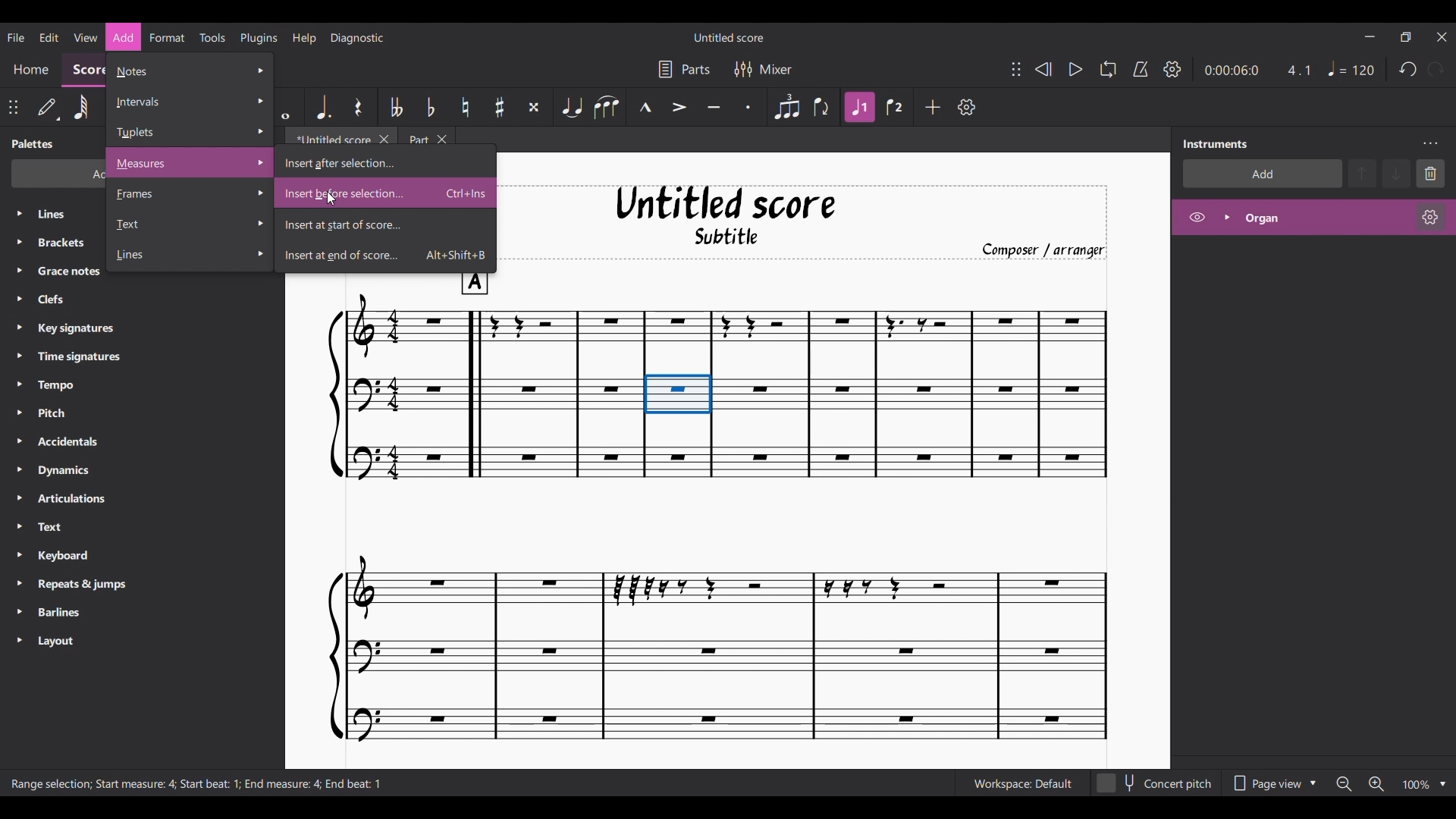 This screenshot has width=1456, height=819. I want to click on Description of current selection, so click(198, 784).